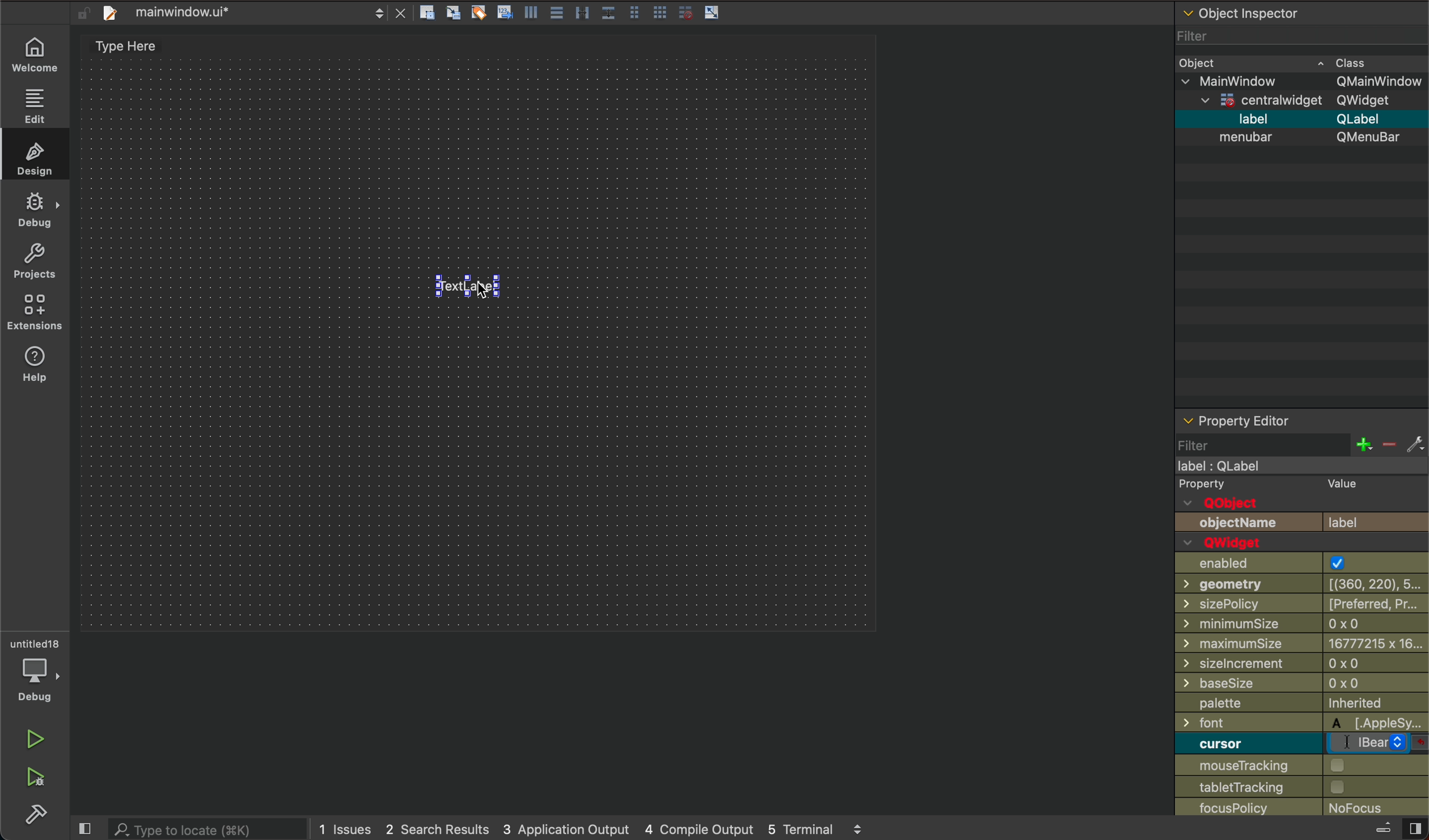 Image resolution: width=1429 pixels, height=840 pixels. Describe the element at coordinates (34, 264) in the screenshot. I see `project` at that location.